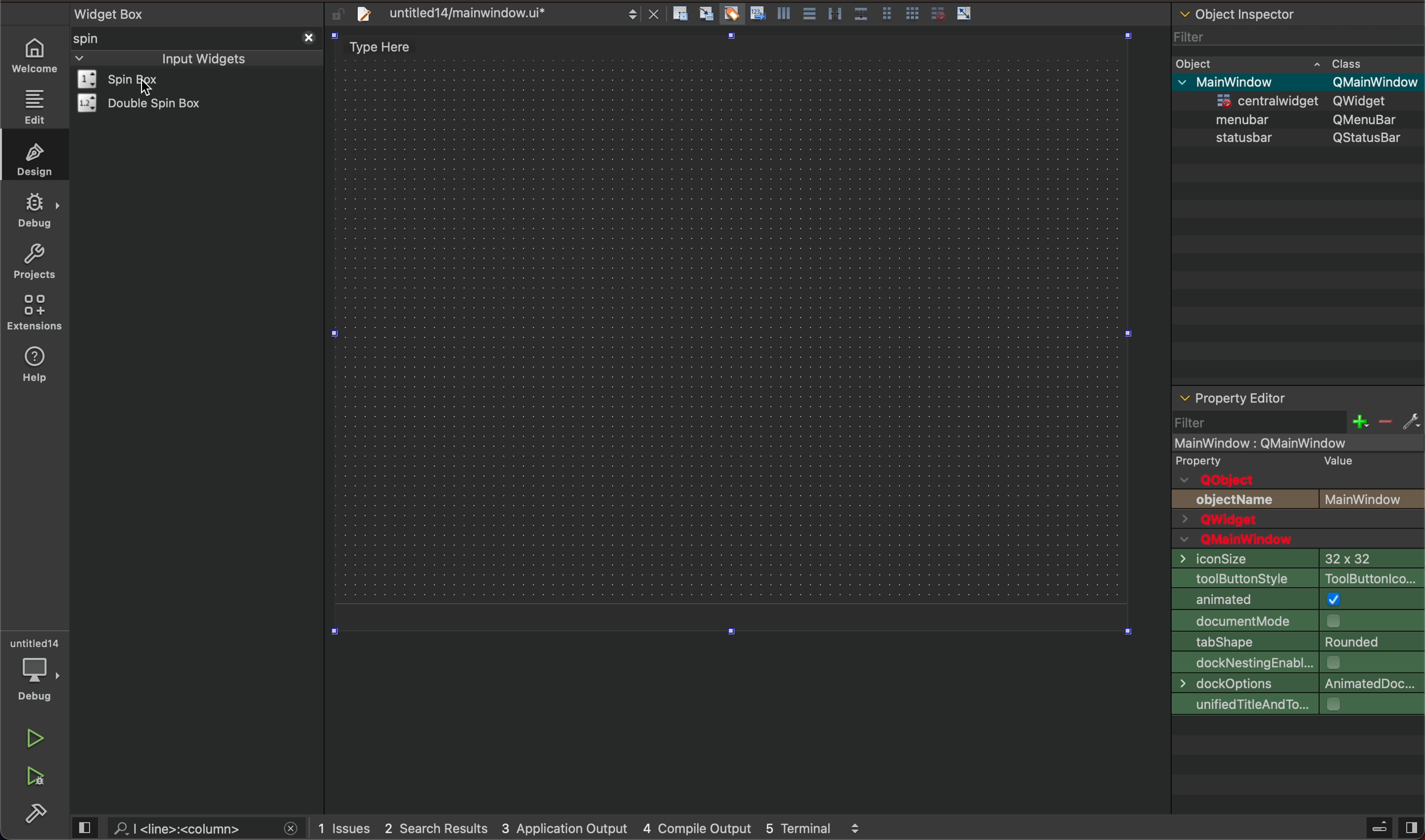 The width and height of the screenshot is (1425, 840). Describe the element at coordinates (1298, 641) in the screenshot. I see `tab shape` at that location.